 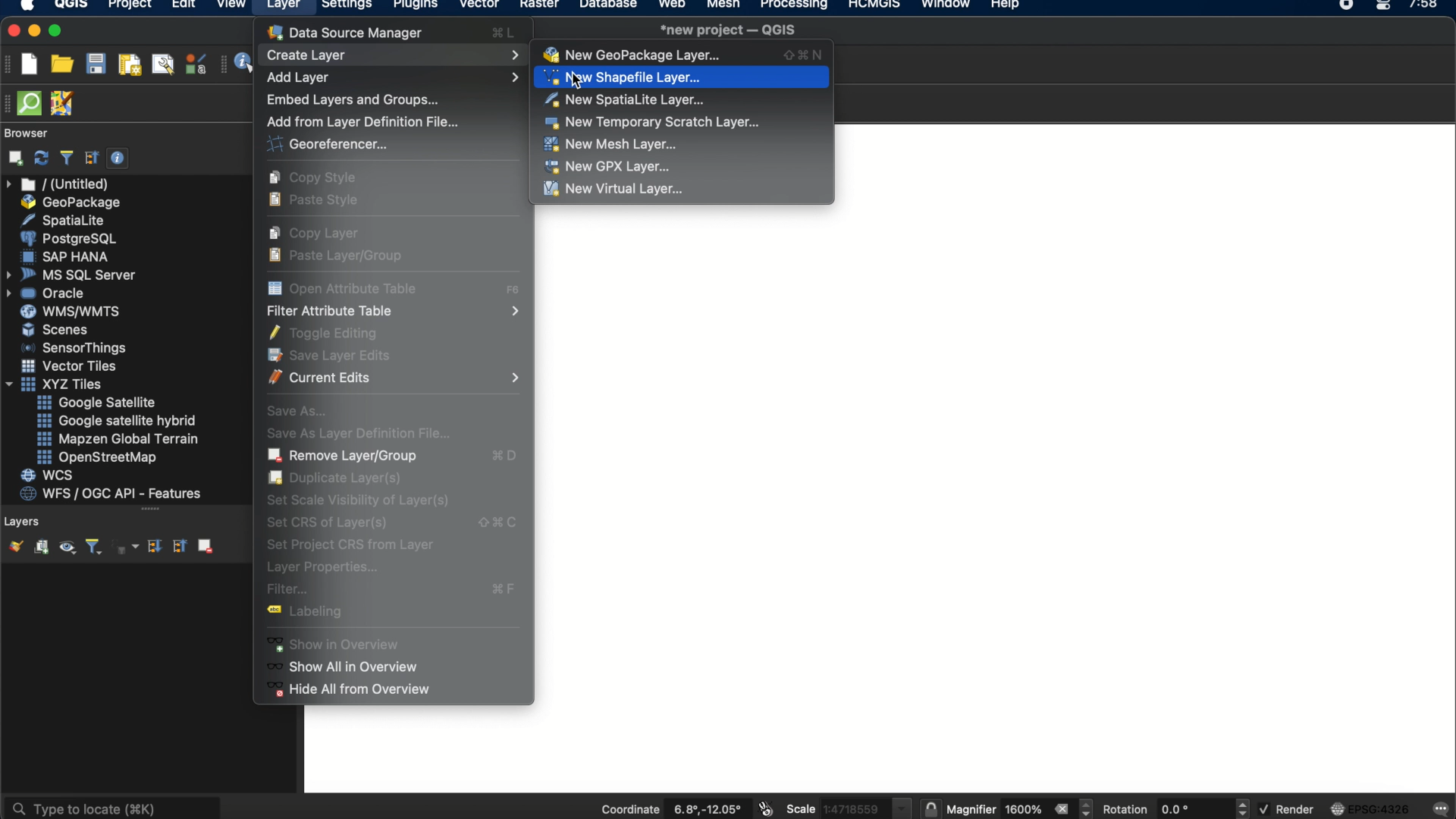 I want to click on hide all from overview, so click(x=350, y=688).